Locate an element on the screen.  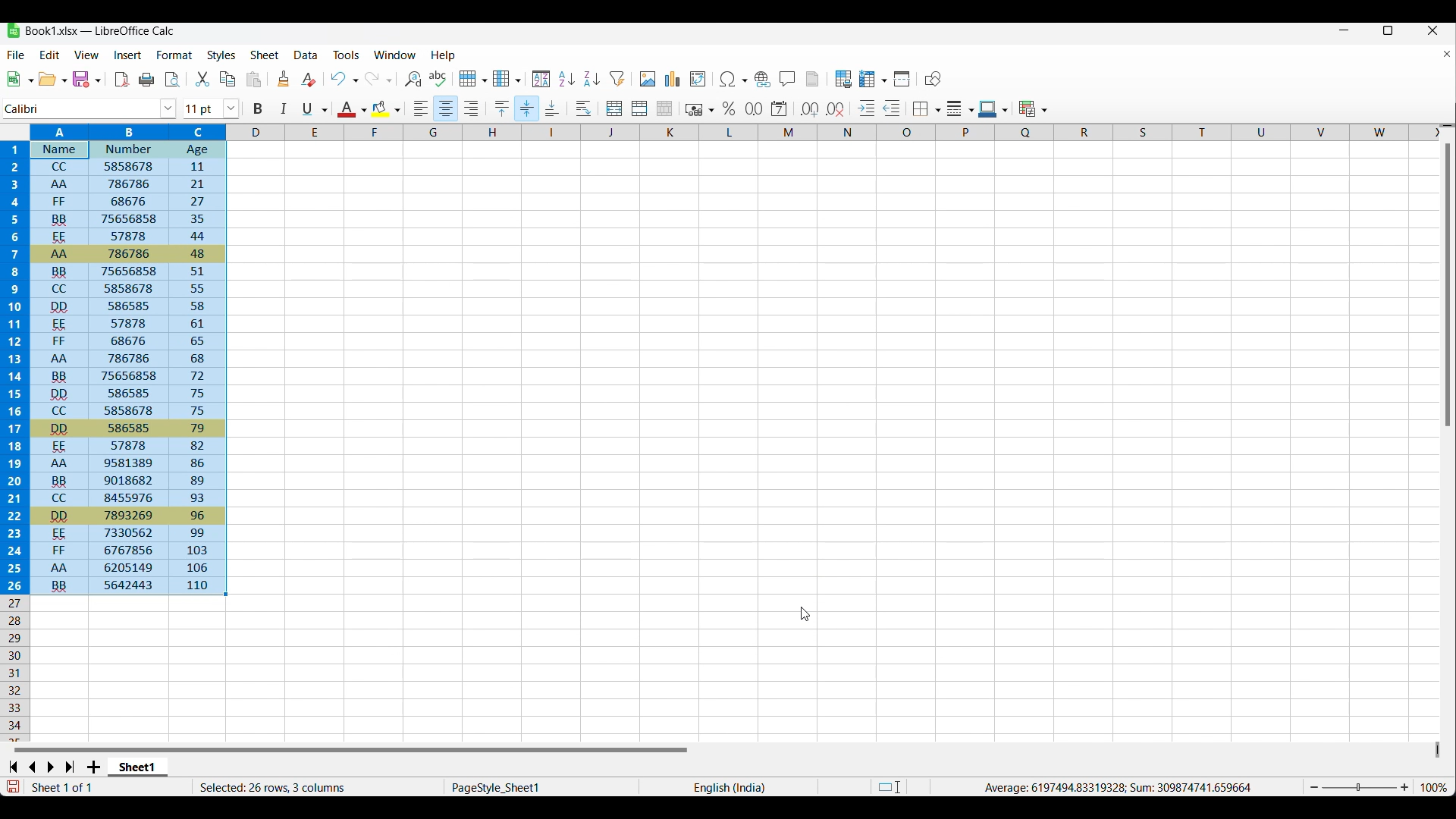
Align top is located at coordinates (502, 109).